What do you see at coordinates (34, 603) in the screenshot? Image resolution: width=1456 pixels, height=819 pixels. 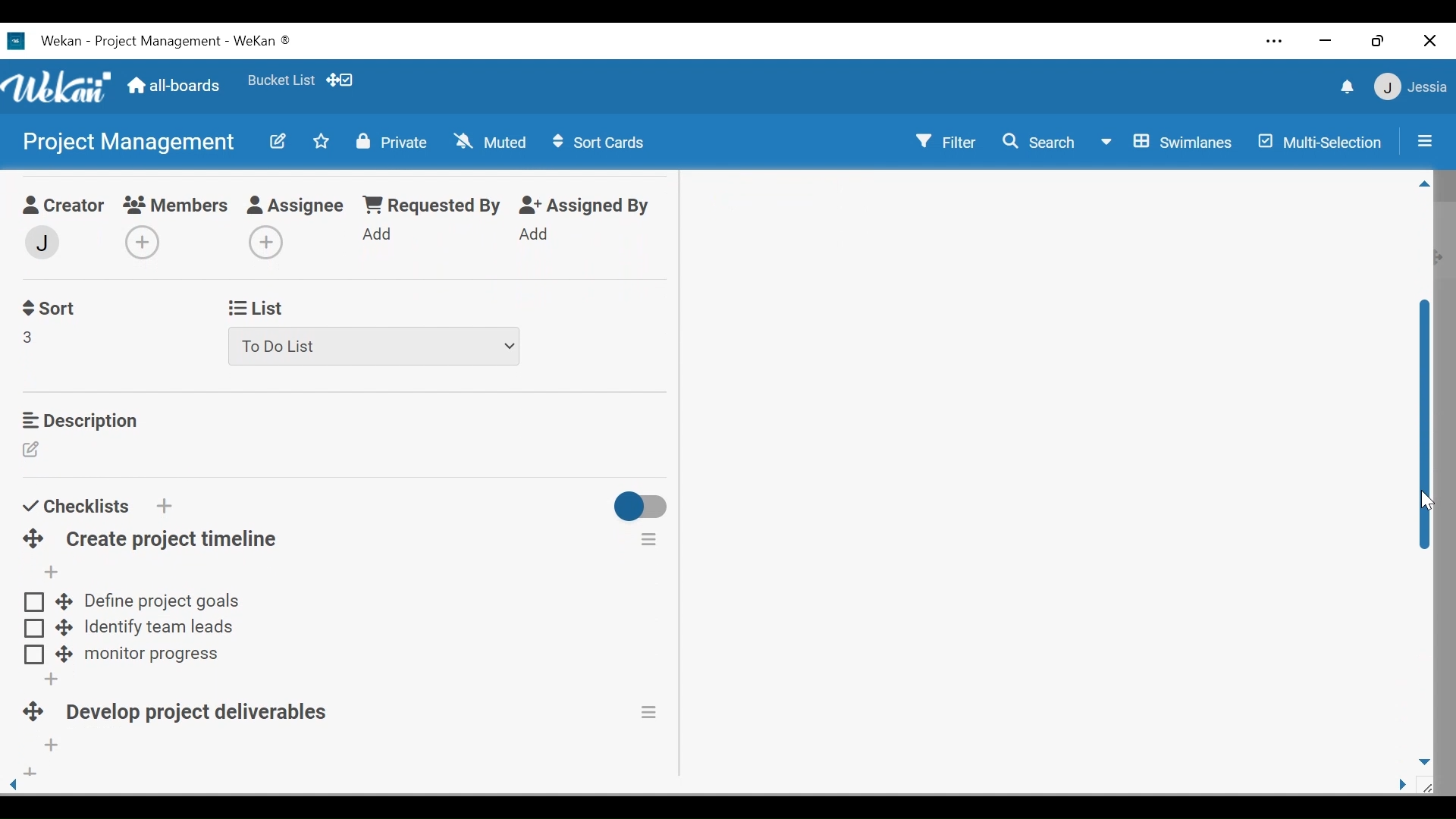 I see `(un)check ` at bounding box center [34, 603].